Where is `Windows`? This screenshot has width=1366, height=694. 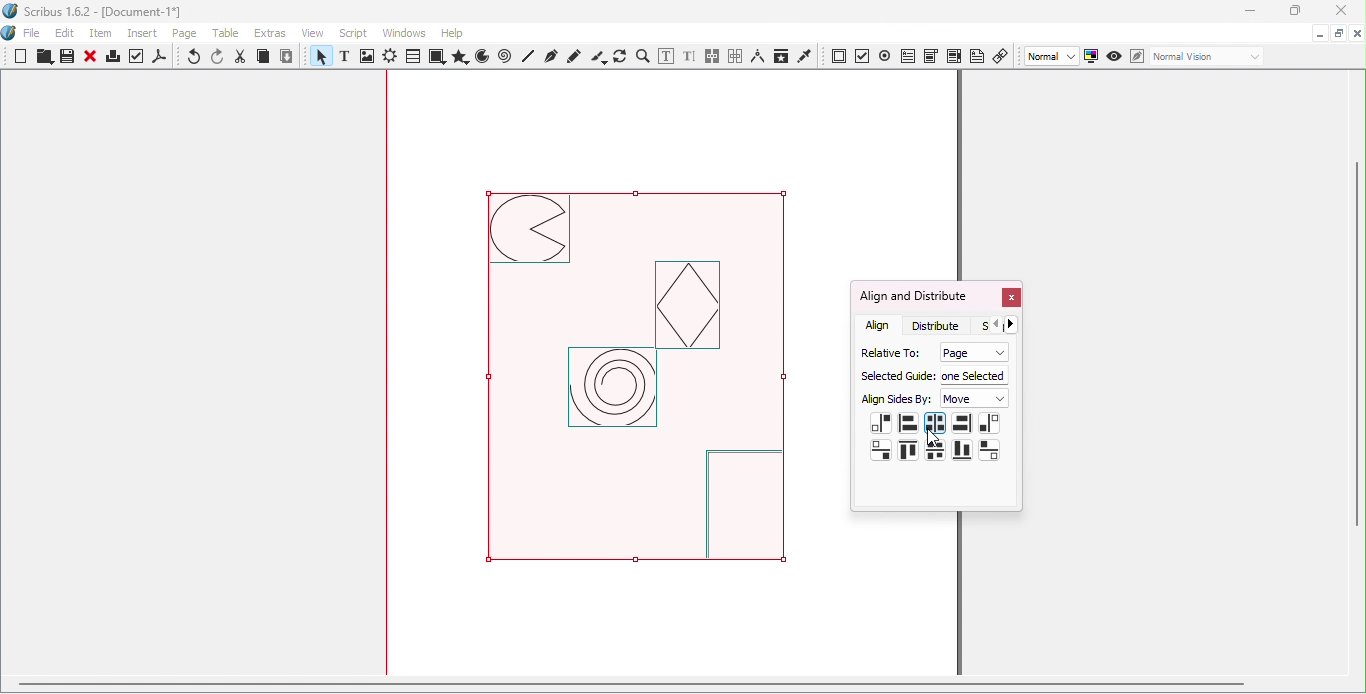
Windows is located at coordinates (404, 33).